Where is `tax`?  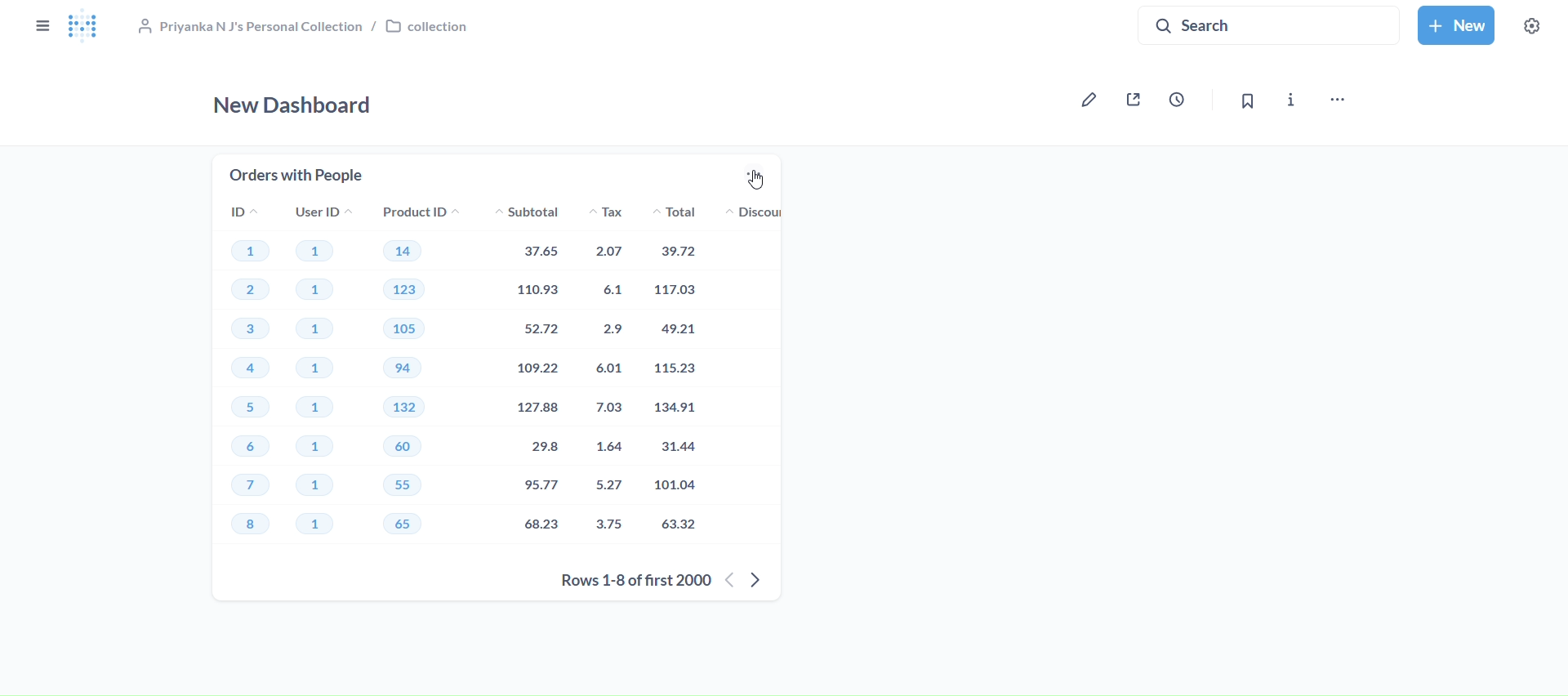
tax is located at coordinates (622, 378).